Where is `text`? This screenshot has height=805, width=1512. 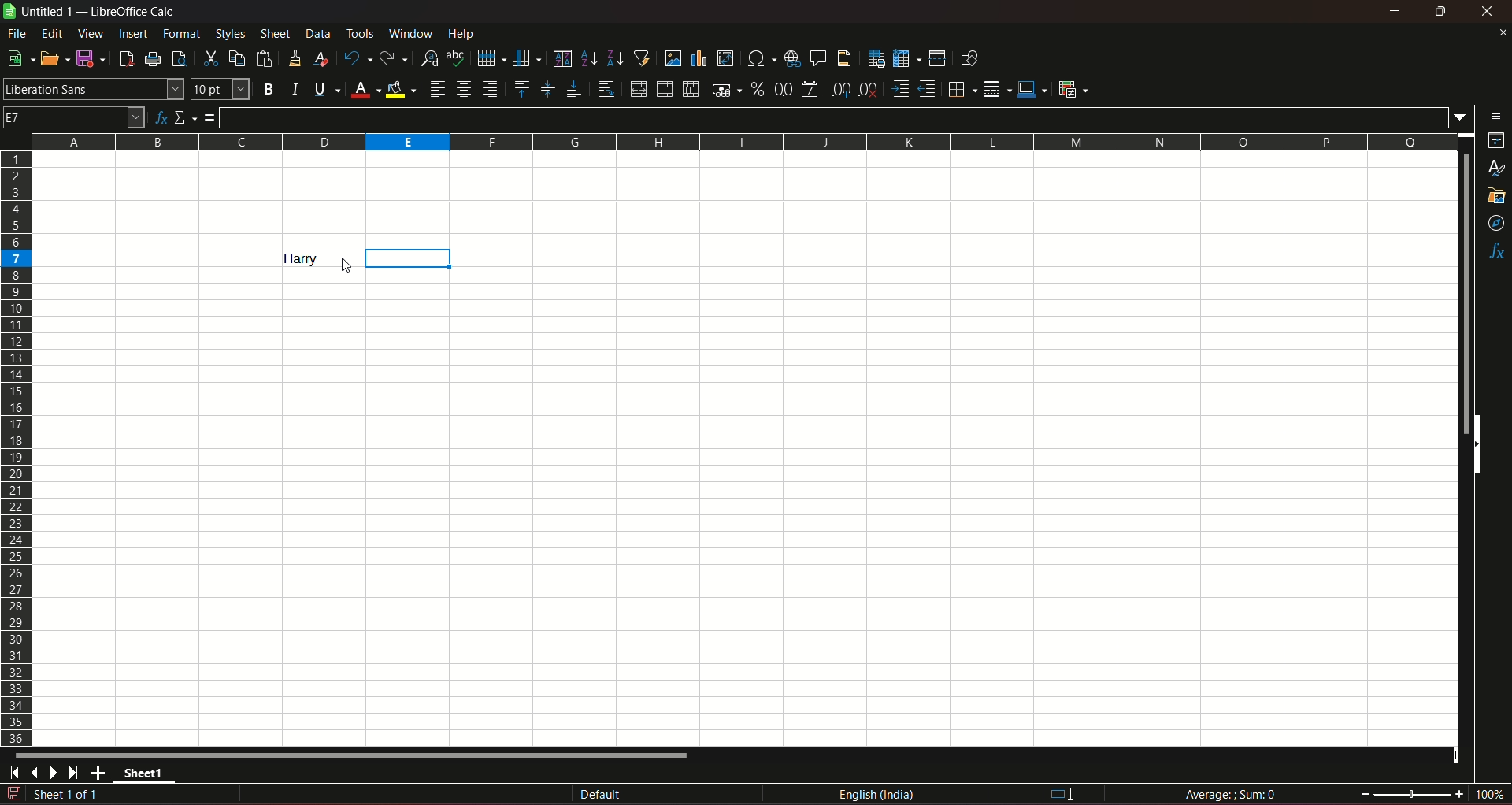 text is located at coordinates (292, 258).